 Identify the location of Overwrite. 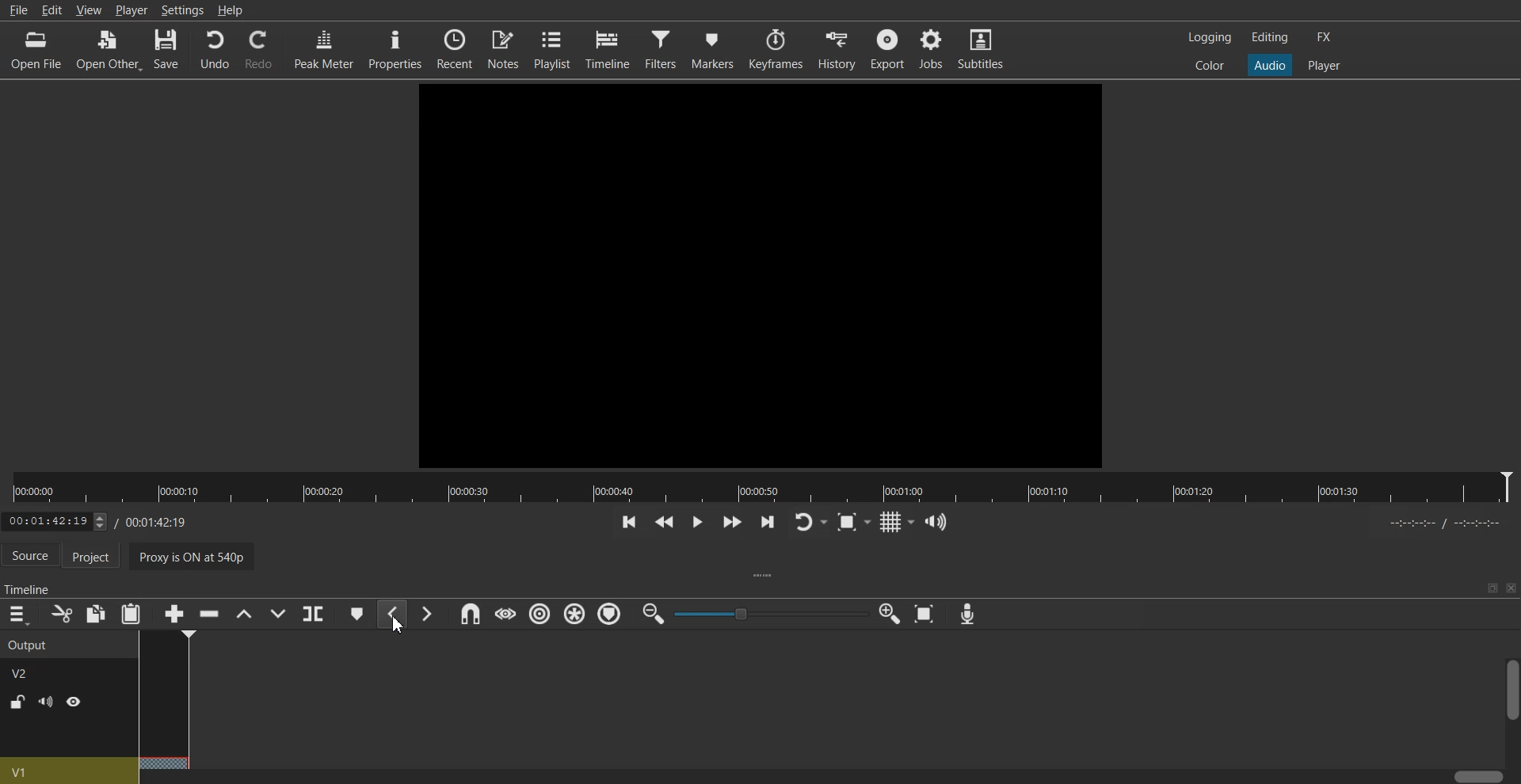
(280, 614).